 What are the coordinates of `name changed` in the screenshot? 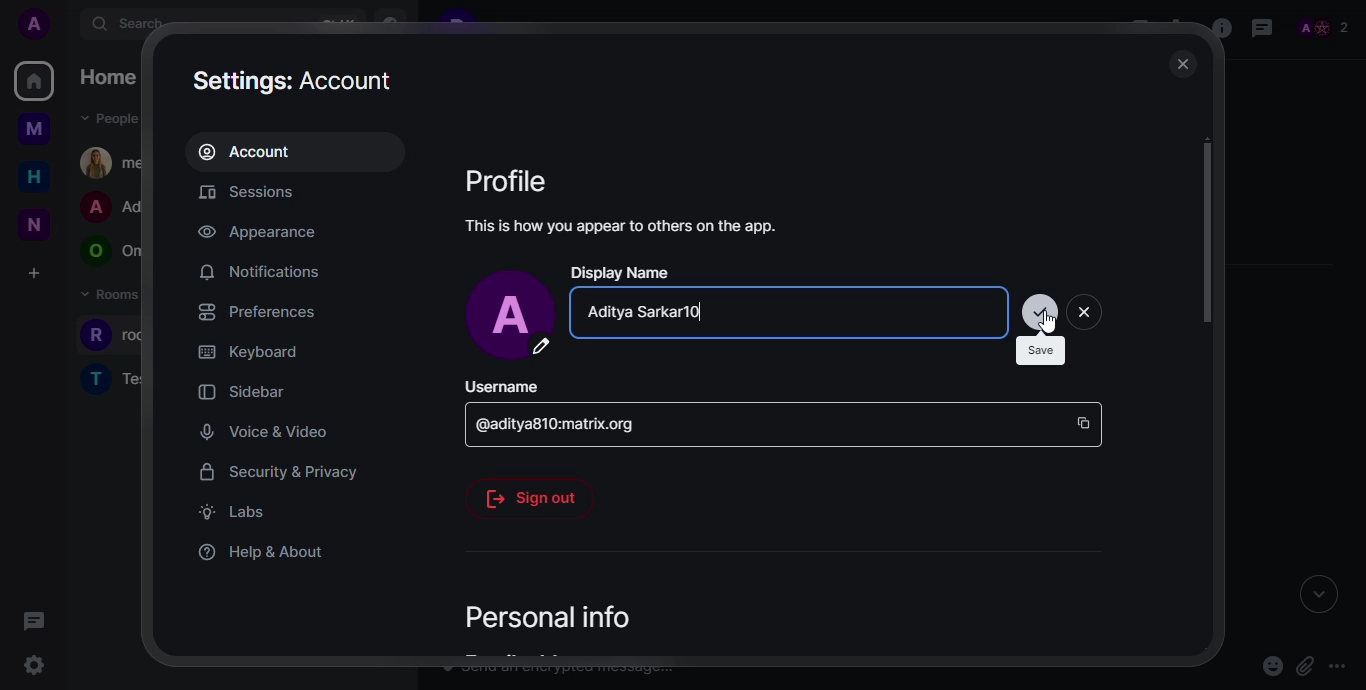 It's located at (651, 313).